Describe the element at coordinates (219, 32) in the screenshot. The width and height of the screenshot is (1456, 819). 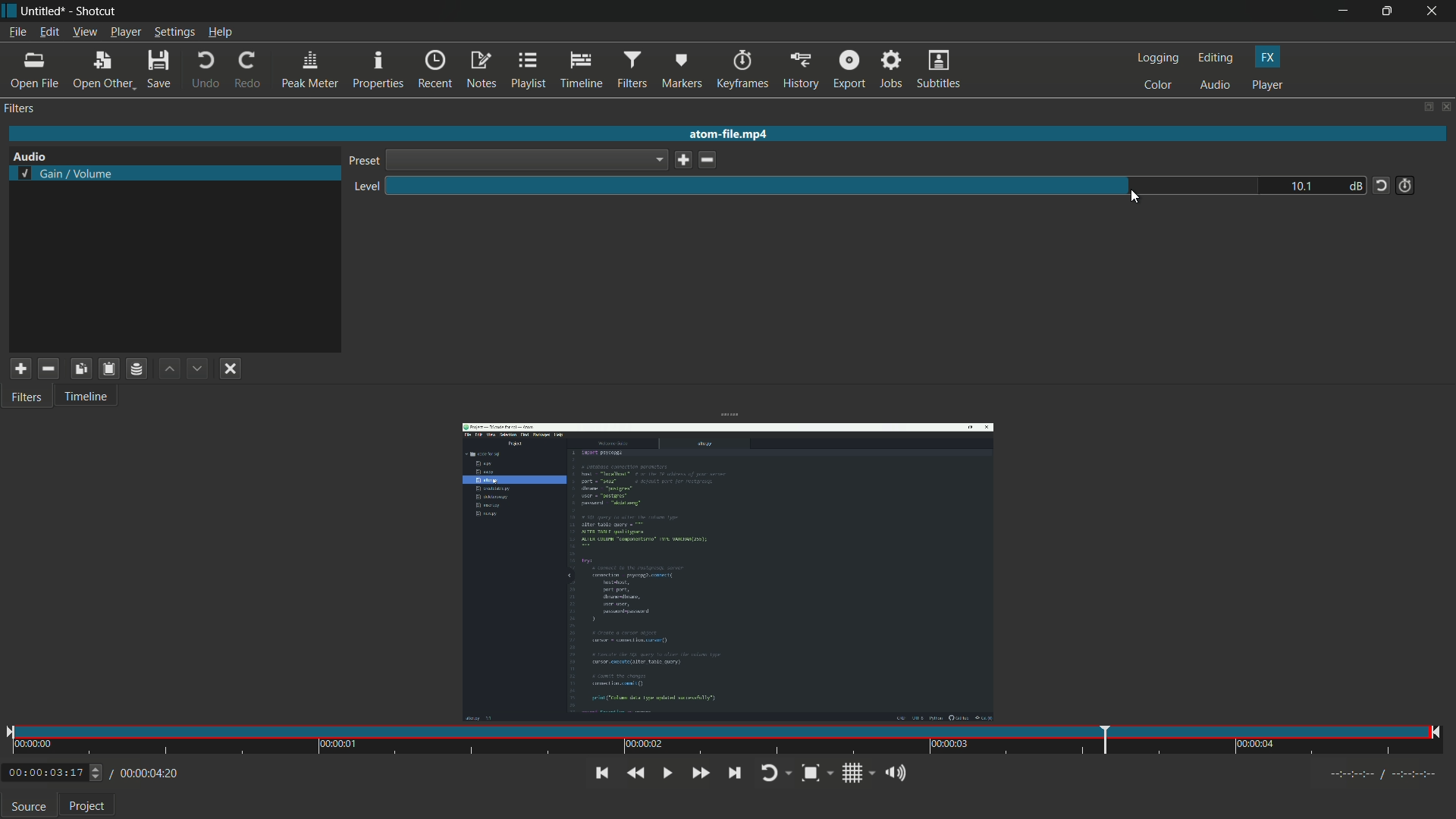
I see `help menu` at that location.